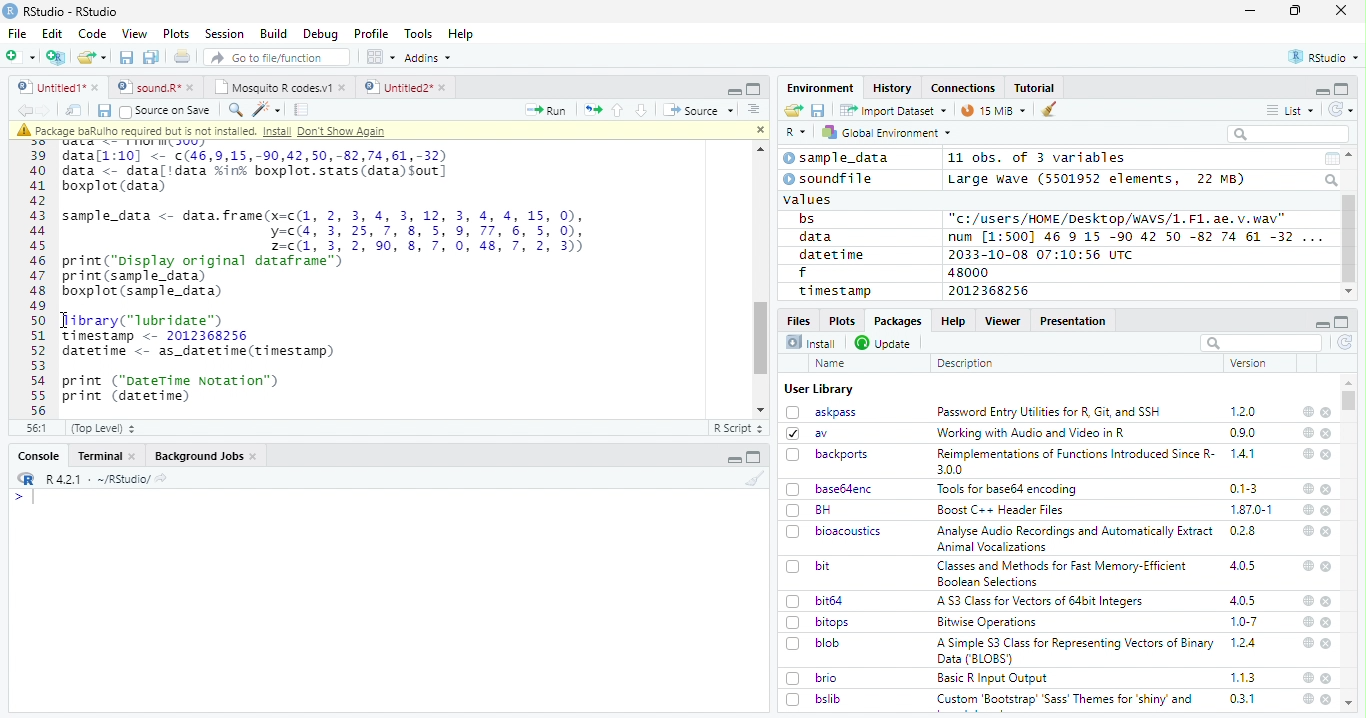  Describe the element at coordinates (381, 57) in the screenshot. I see `Workspace panes` at that location.